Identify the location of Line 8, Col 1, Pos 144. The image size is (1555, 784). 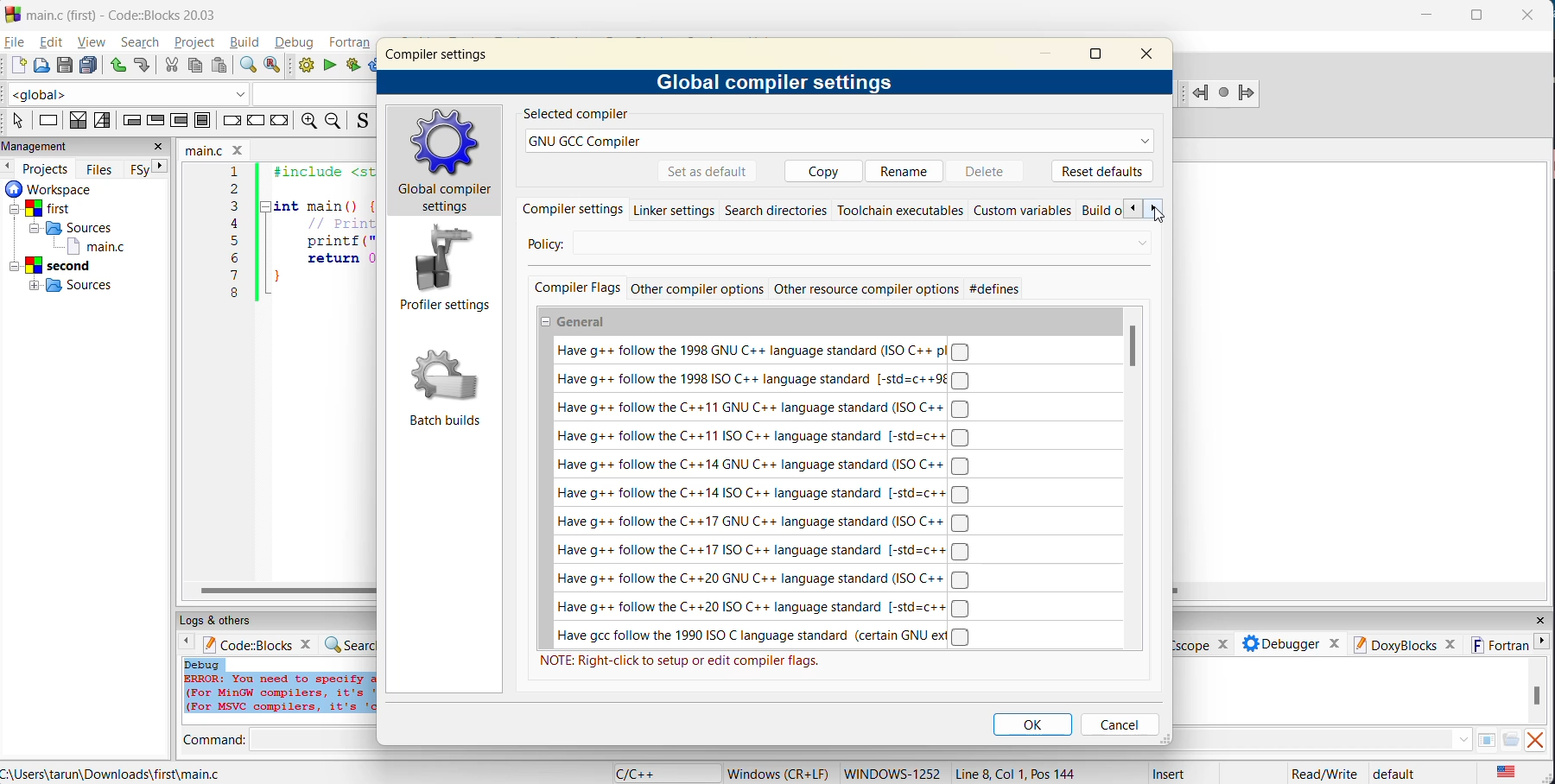
(1016, 773).